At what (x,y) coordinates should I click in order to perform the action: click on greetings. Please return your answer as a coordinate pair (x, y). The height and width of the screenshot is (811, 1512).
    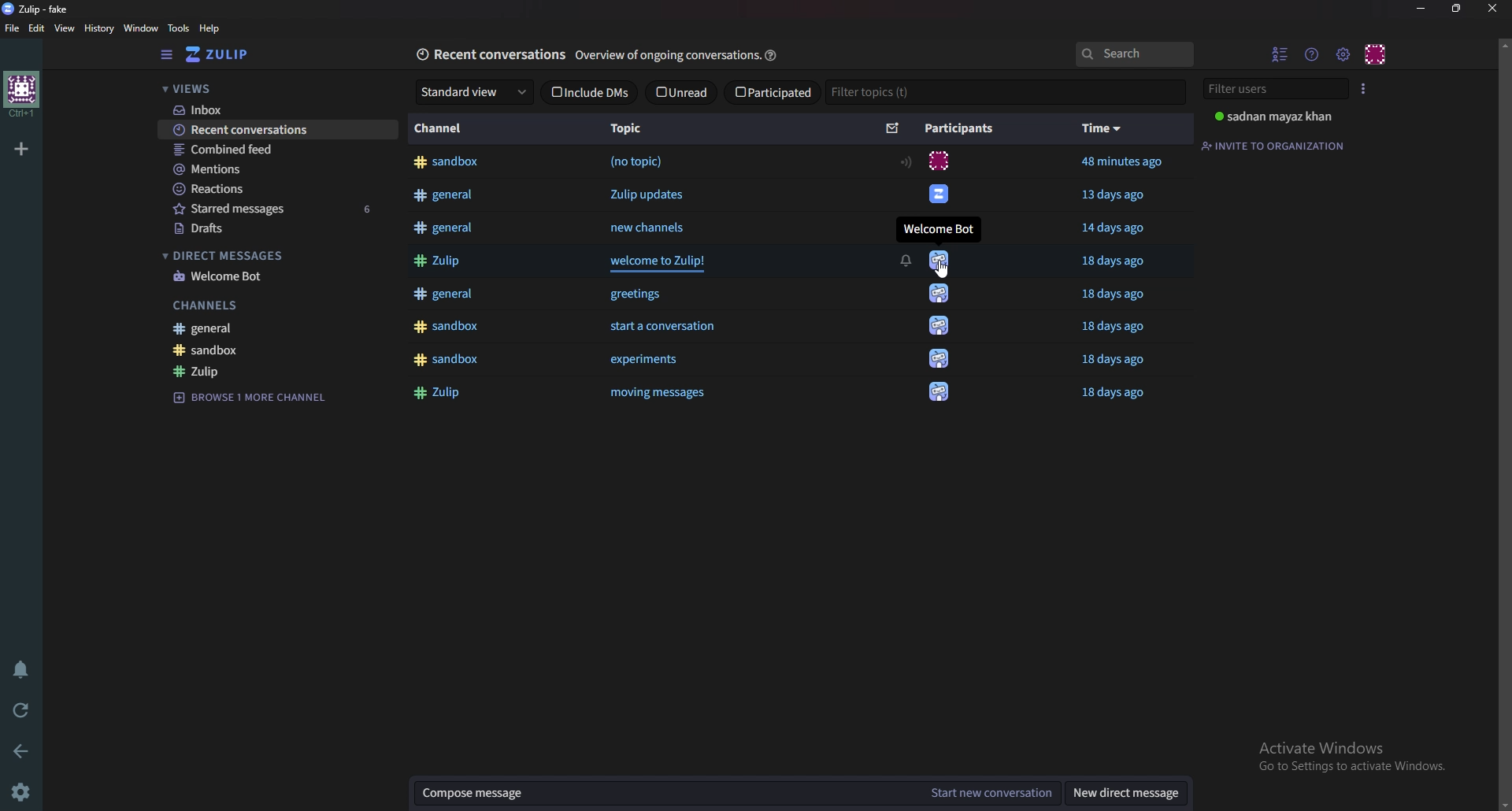
    Looking at the image, I should click on (645, 294).